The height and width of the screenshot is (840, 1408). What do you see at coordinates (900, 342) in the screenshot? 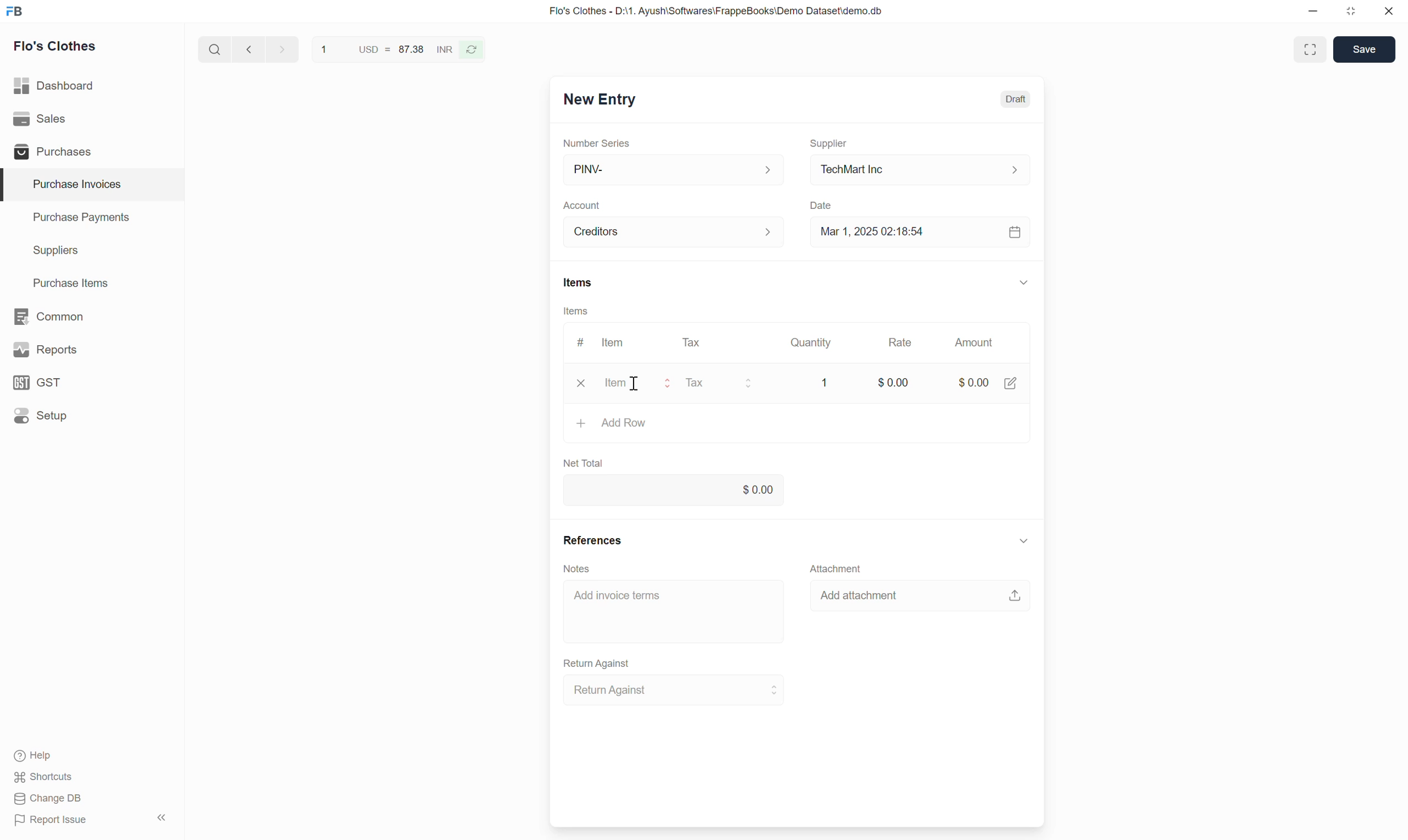
I see `Rate` at bounding box center [900, 342].